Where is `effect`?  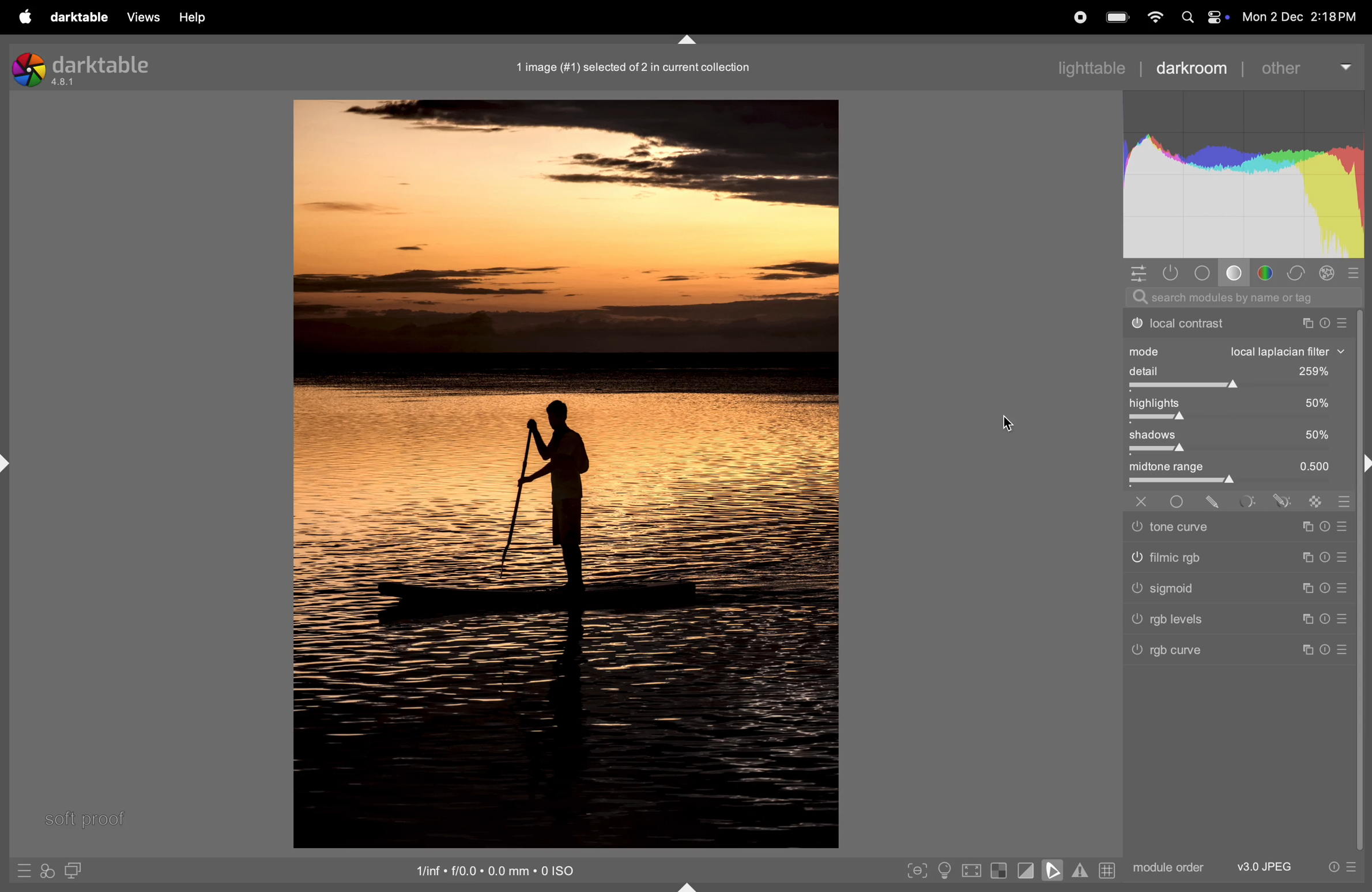 effect is located at coordinates (1328, 273).